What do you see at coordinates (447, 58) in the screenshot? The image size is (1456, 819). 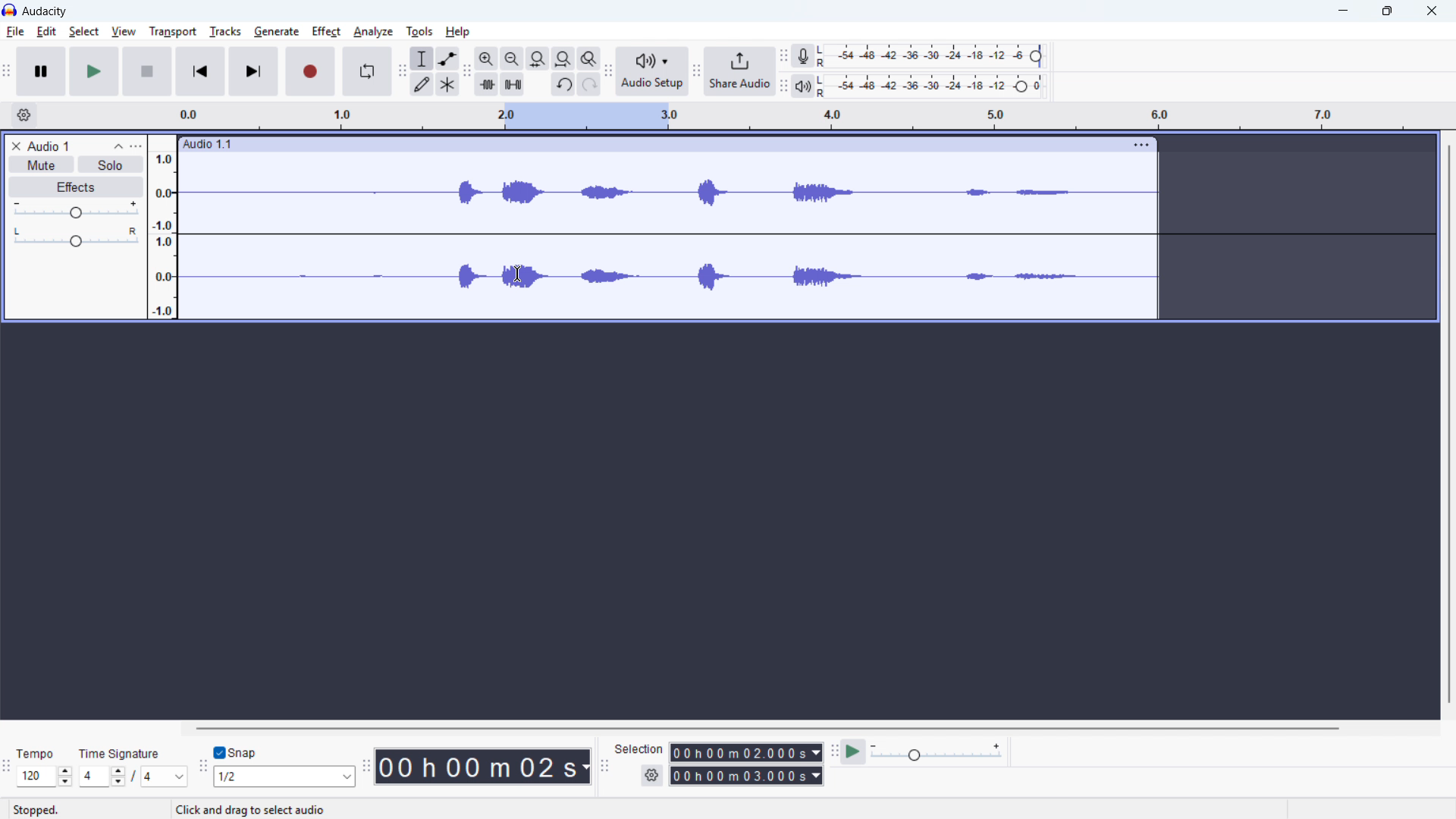 I see `Envelope tool` at bounding box center [447, 58].